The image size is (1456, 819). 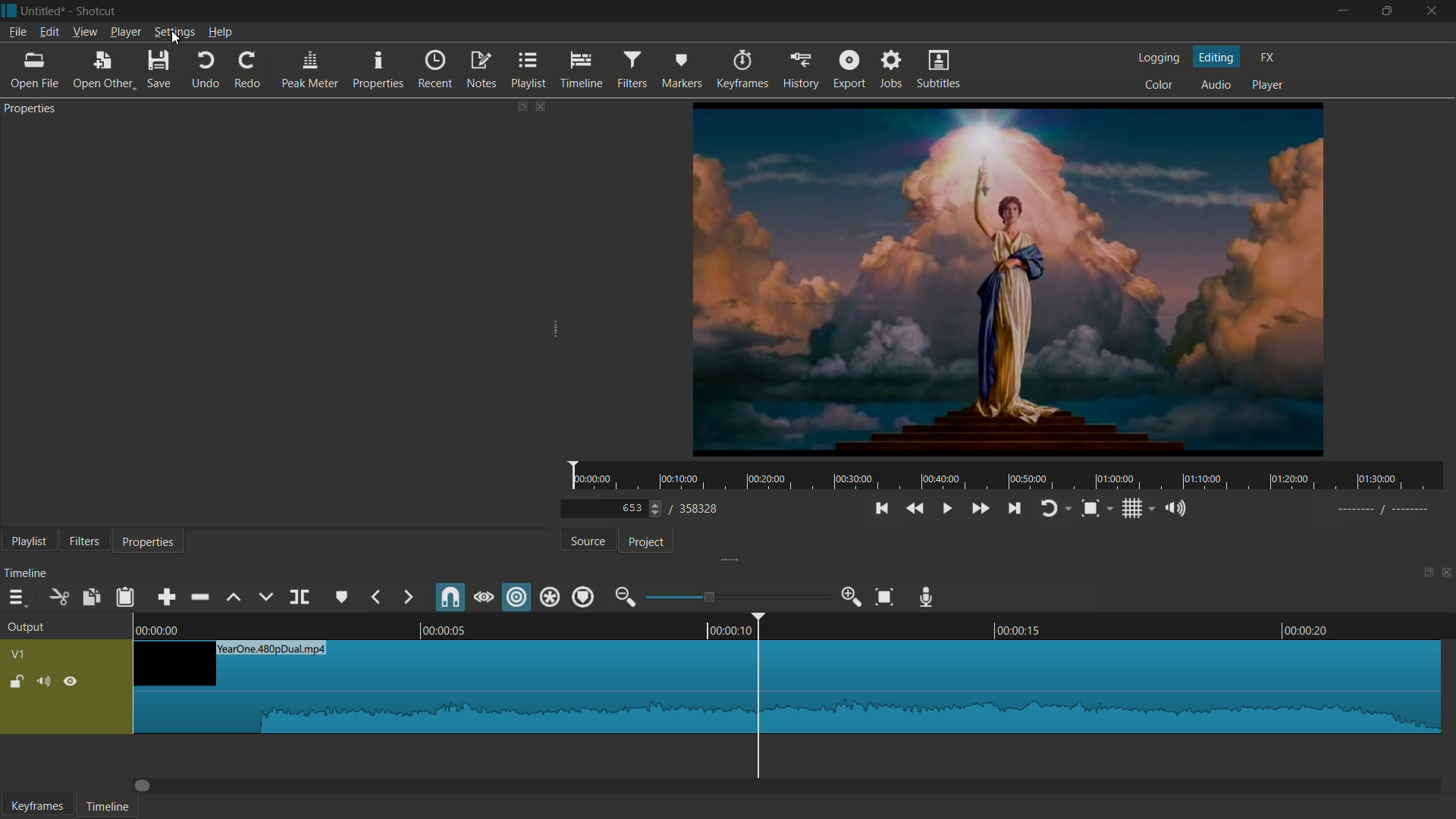 What do you see at coordinates (444, 629) in the screenshot?
I see `00.00.05` at bounding box center [444, 629].